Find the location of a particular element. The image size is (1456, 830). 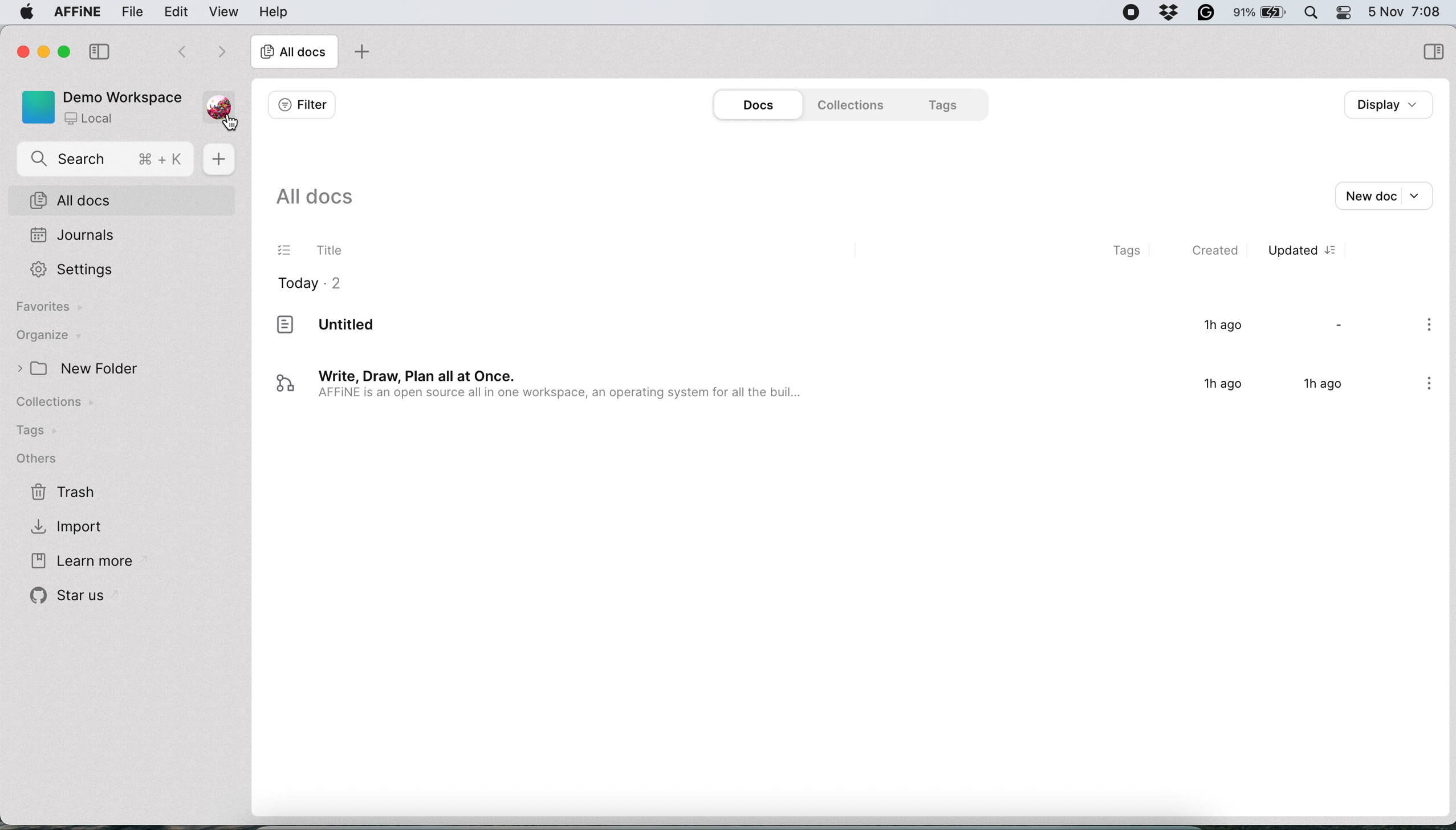

help is located at coordinates (273, 11).